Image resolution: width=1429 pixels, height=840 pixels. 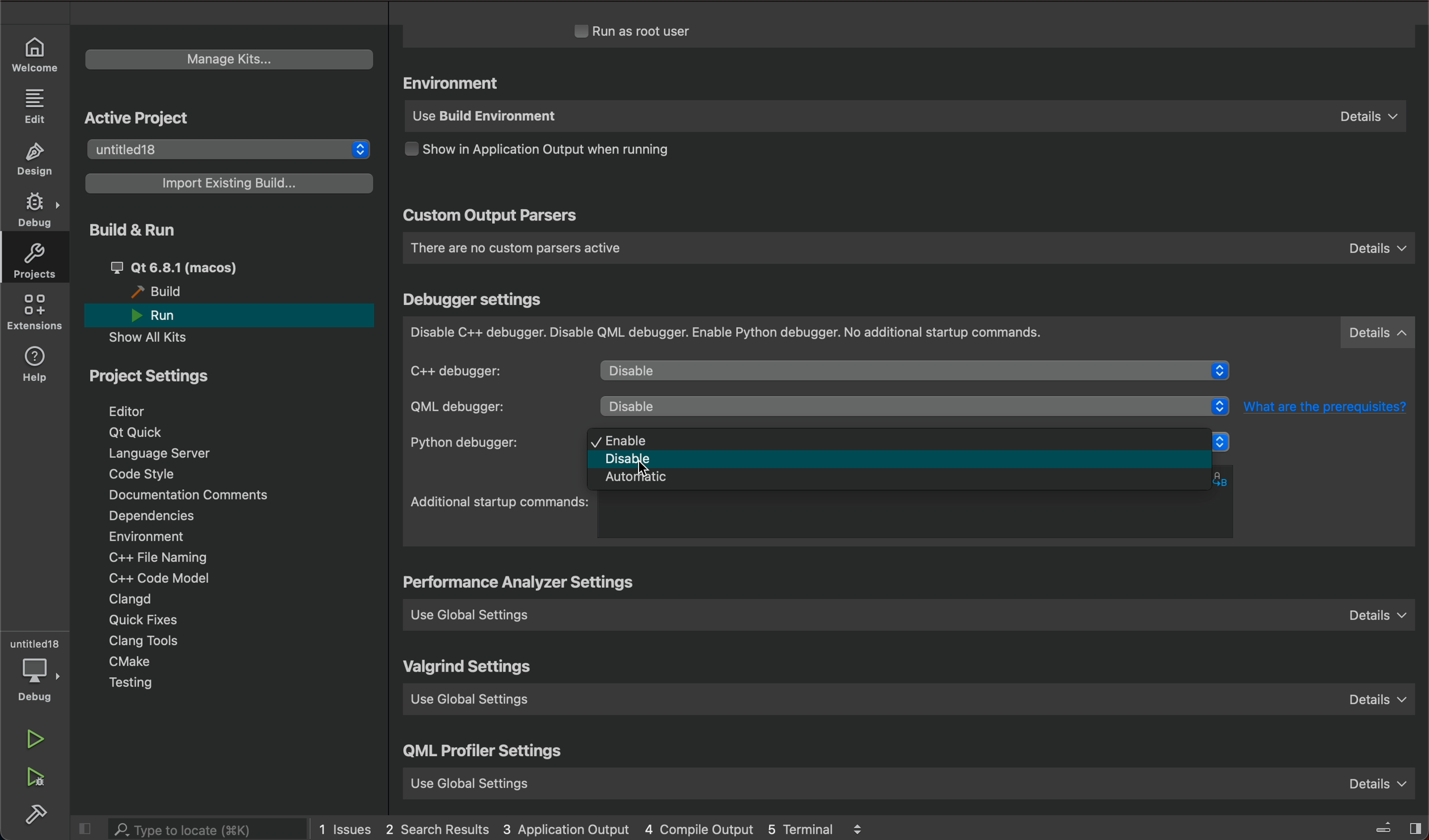 What do you see at coordinates (907, 462) in the screenshot?
I see `disabled` at bounding box center [907, 462].